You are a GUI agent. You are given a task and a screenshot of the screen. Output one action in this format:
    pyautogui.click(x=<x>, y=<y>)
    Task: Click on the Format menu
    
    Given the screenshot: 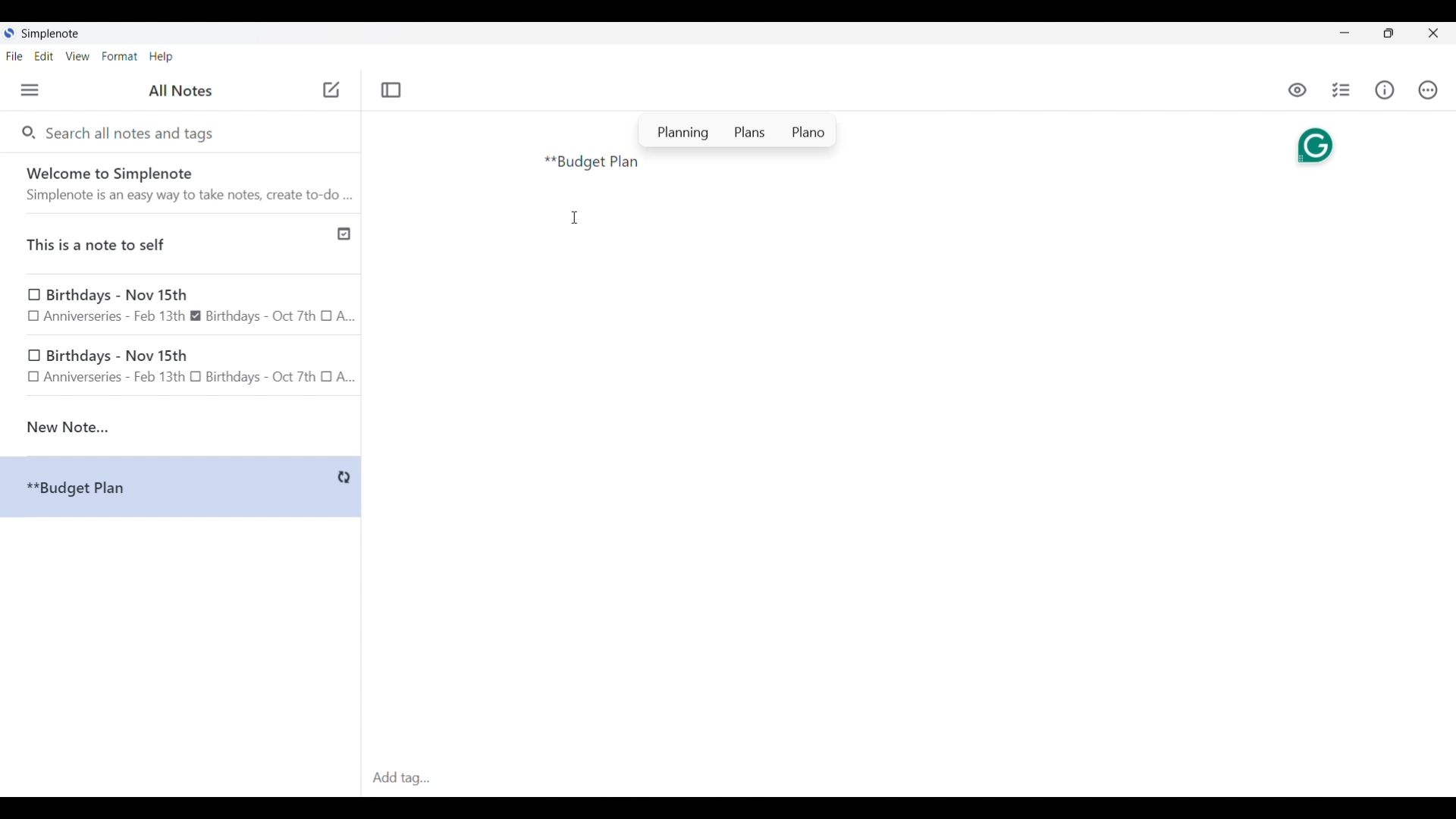 What is the action you would take?
    pyautogui.click(x=120, y=56)
    